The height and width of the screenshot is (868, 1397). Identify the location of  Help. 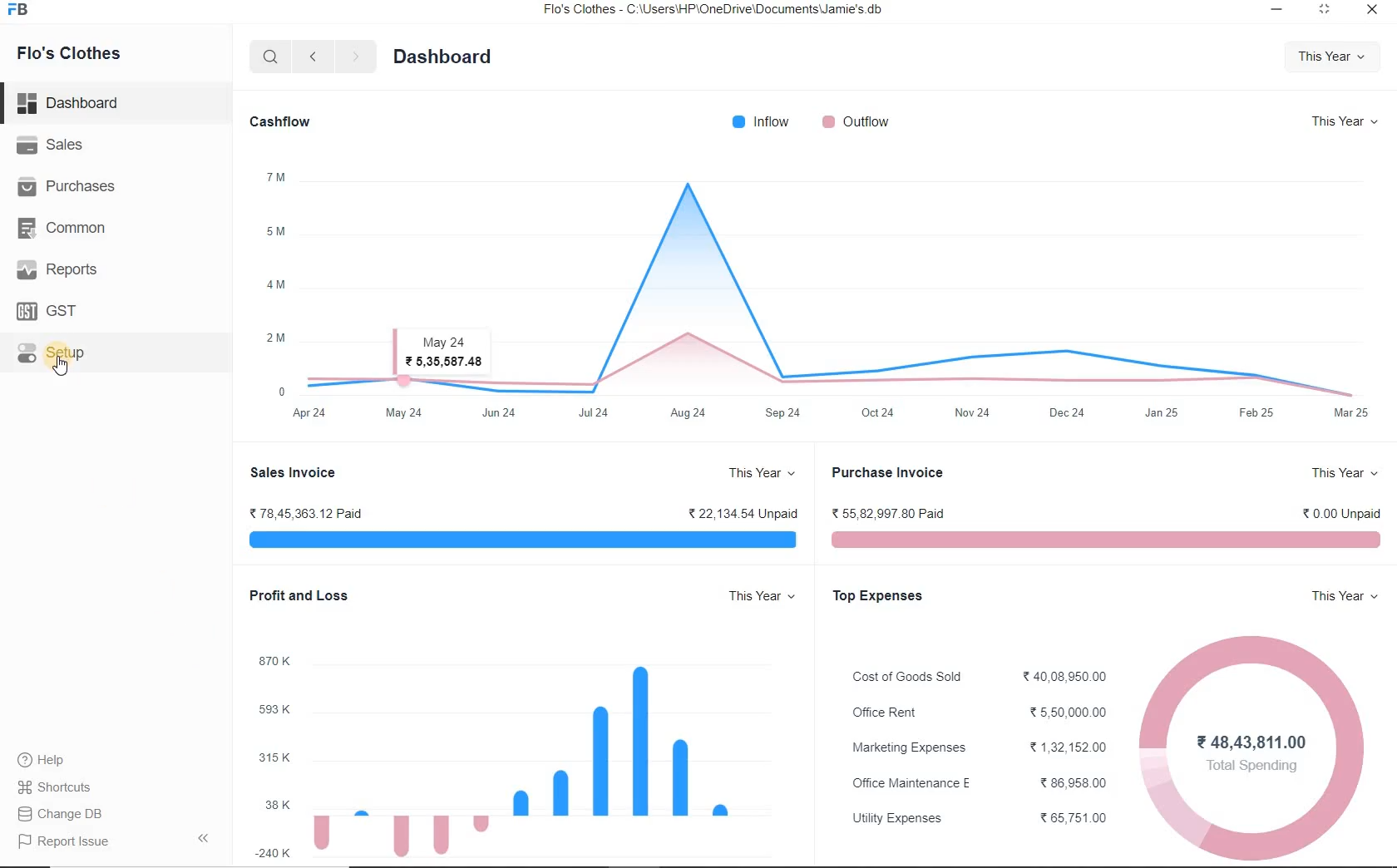
(51, 760).